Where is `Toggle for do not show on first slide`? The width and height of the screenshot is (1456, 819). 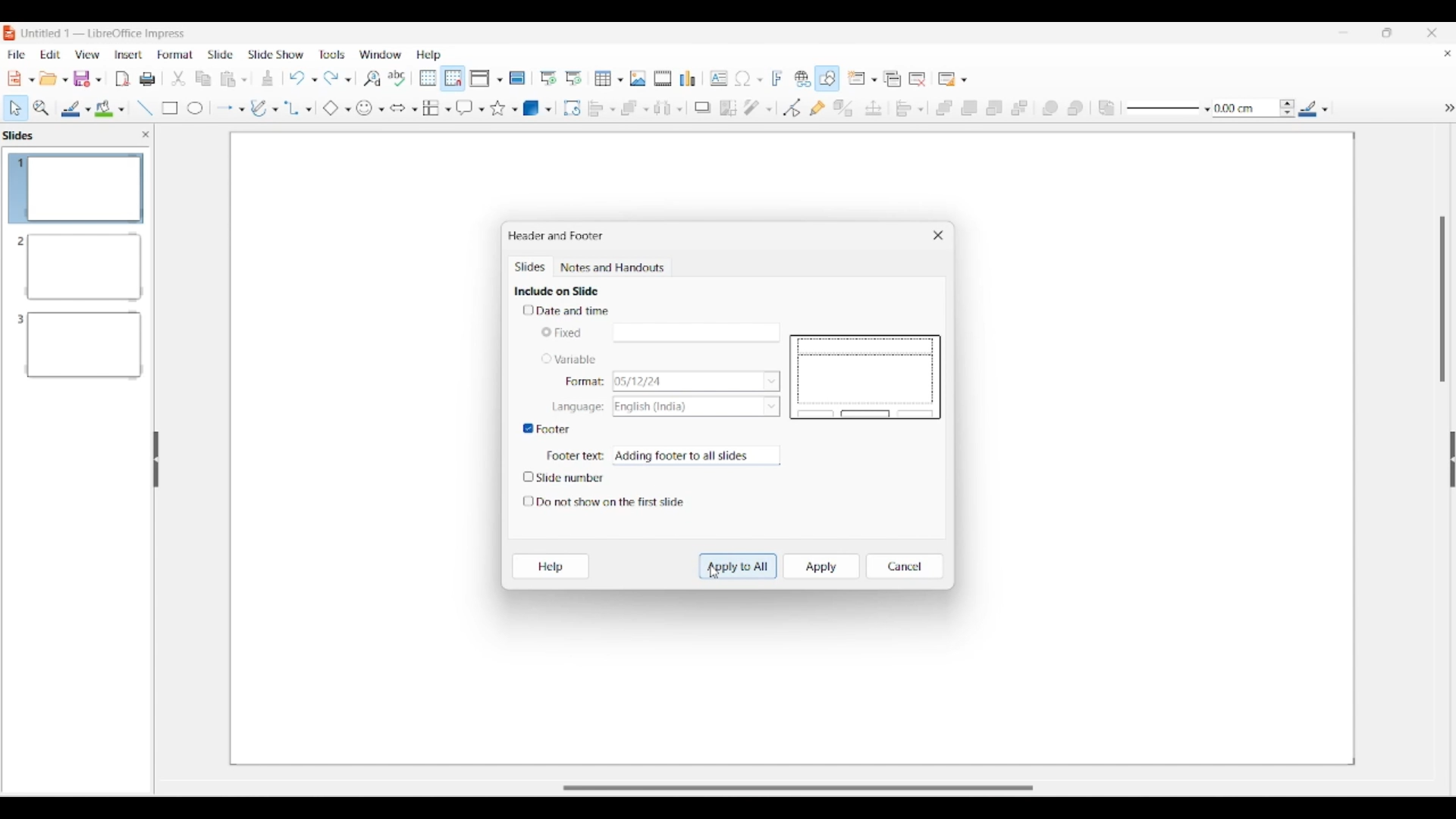 Toggle for do not show on first slide is located at coordinates (604, 502).